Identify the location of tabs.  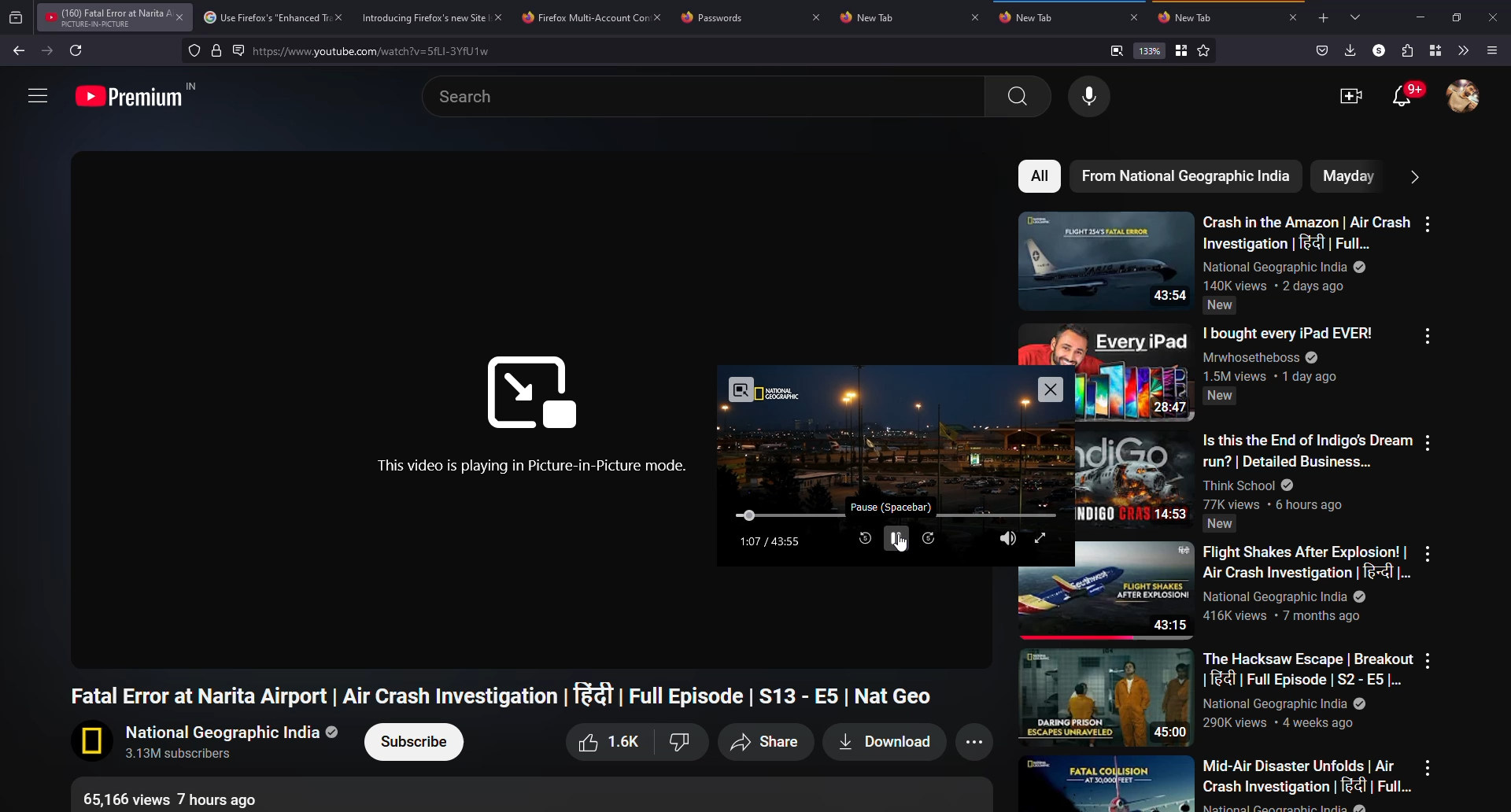
(1357, 18).